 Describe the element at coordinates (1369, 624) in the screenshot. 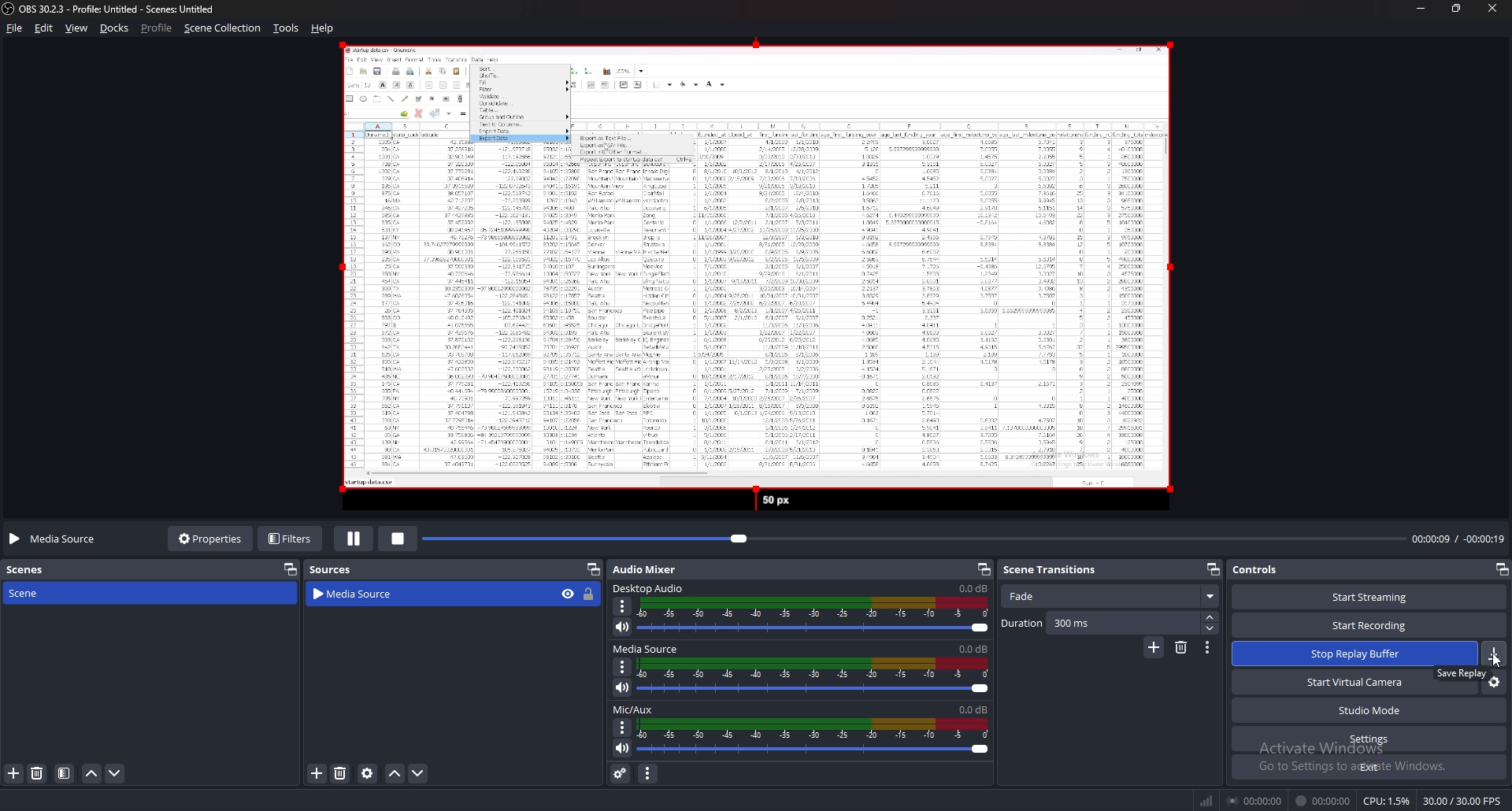

I see `start recording` at that location.